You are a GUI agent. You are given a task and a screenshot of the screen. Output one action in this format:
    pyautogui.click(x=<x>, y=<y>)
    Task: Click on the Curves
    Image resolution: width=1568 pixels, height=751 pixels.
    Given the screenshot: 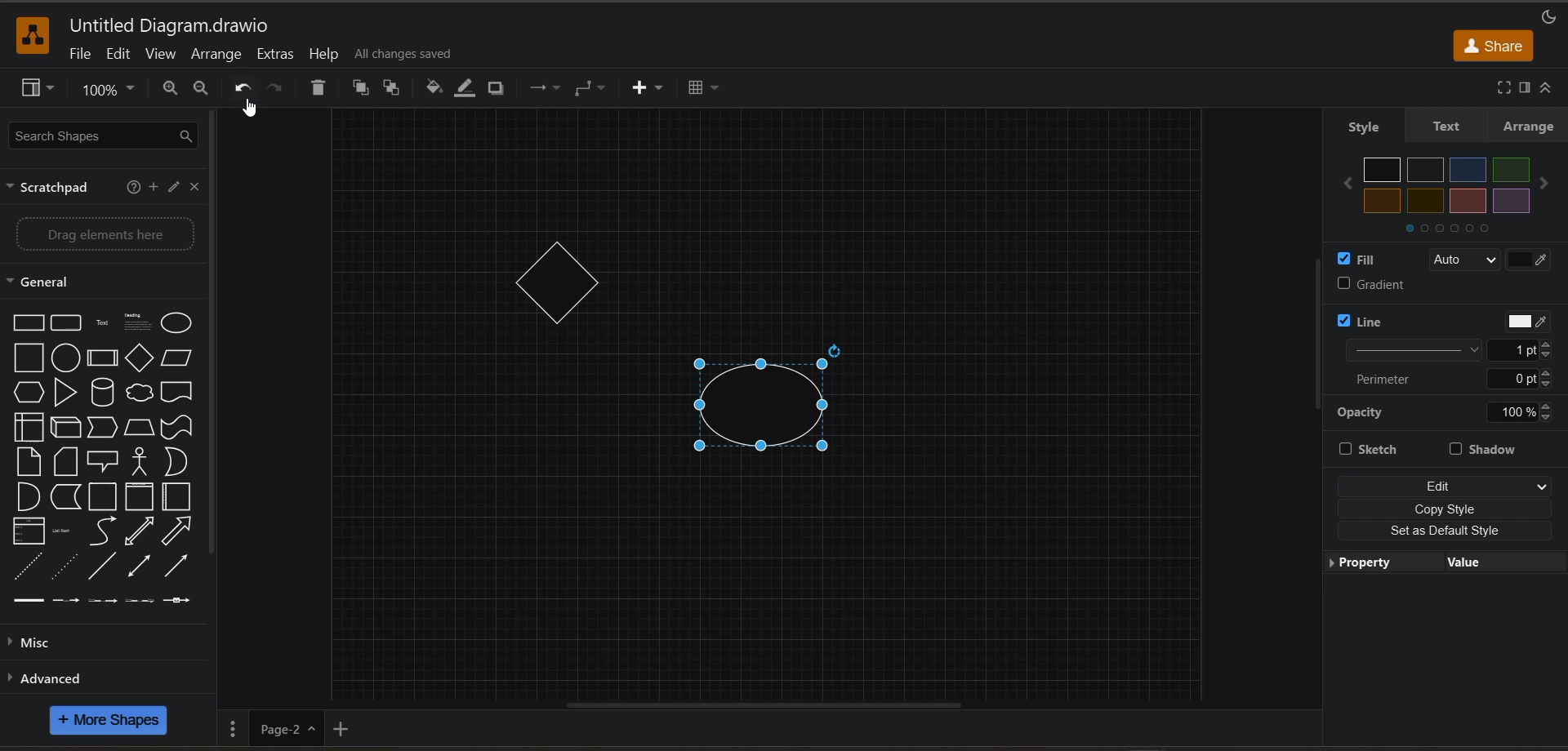 What is the action you would take?
    pyautogui.click(x=104, y=531)
    